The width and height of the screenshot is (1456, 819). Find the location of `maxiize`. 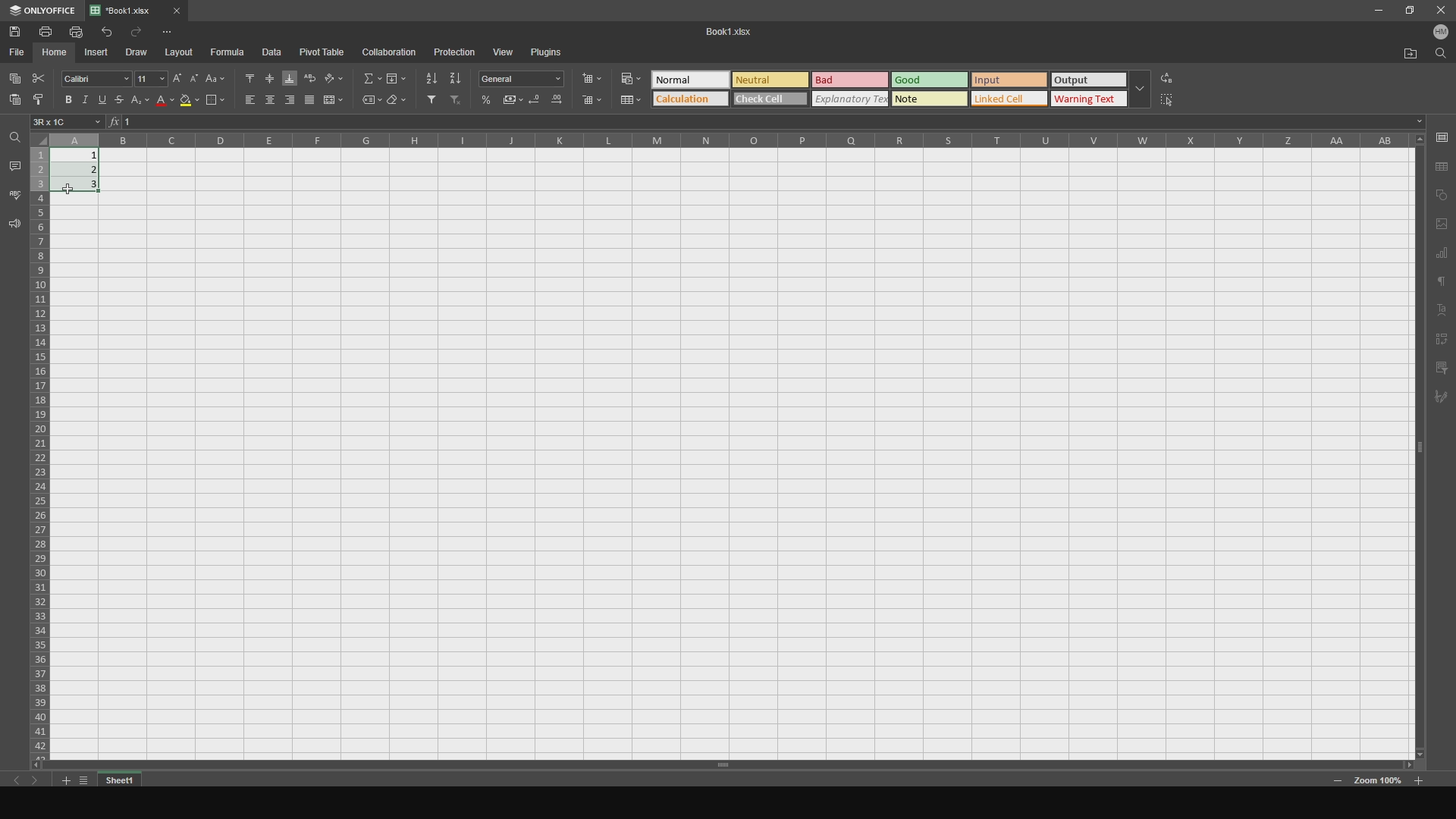

maxiize is located at coordinates (1407, 12).